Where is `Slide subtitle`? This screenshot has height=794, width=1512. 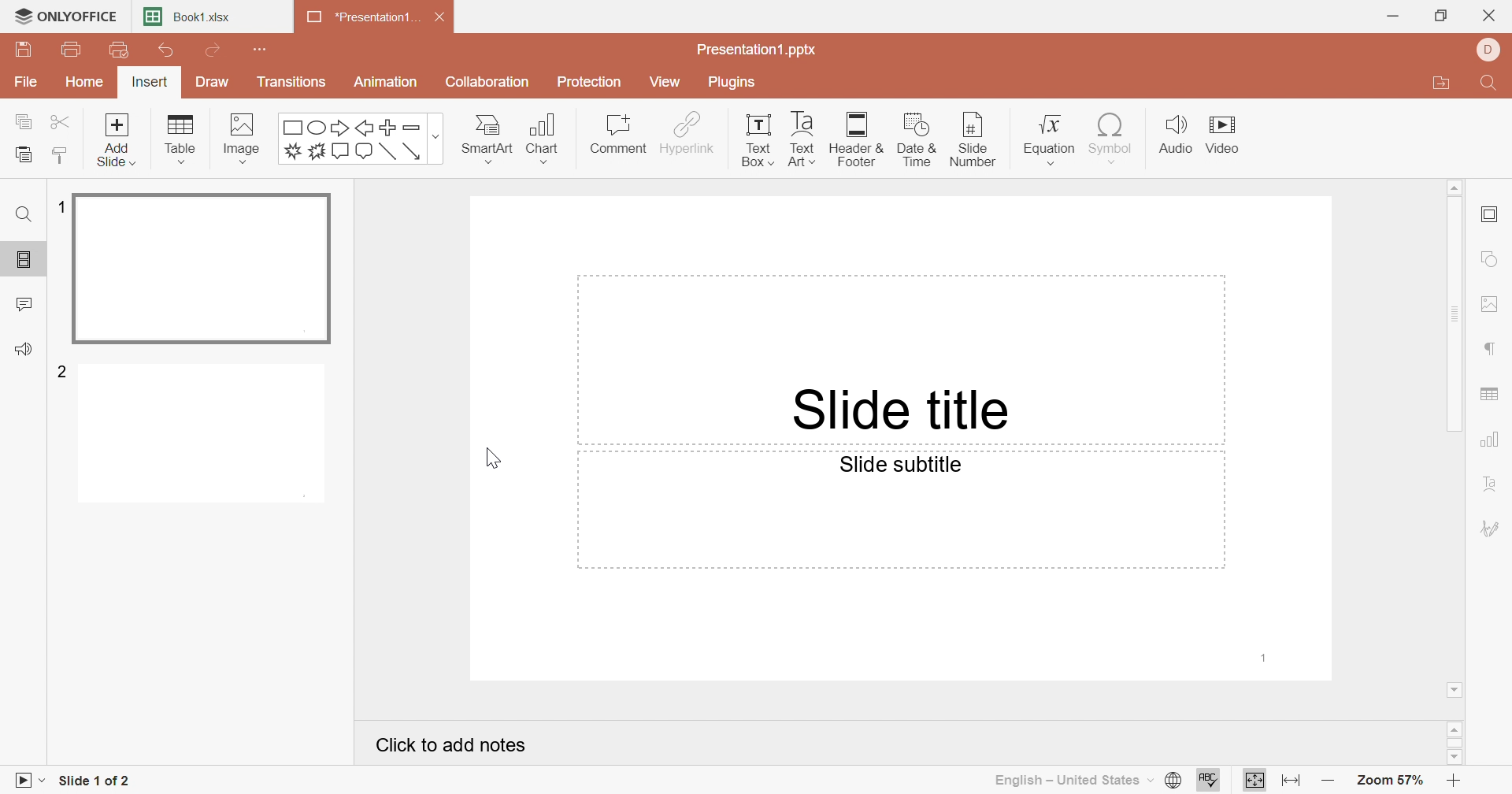 Slide subtitle is located at coordinates (901, 465).